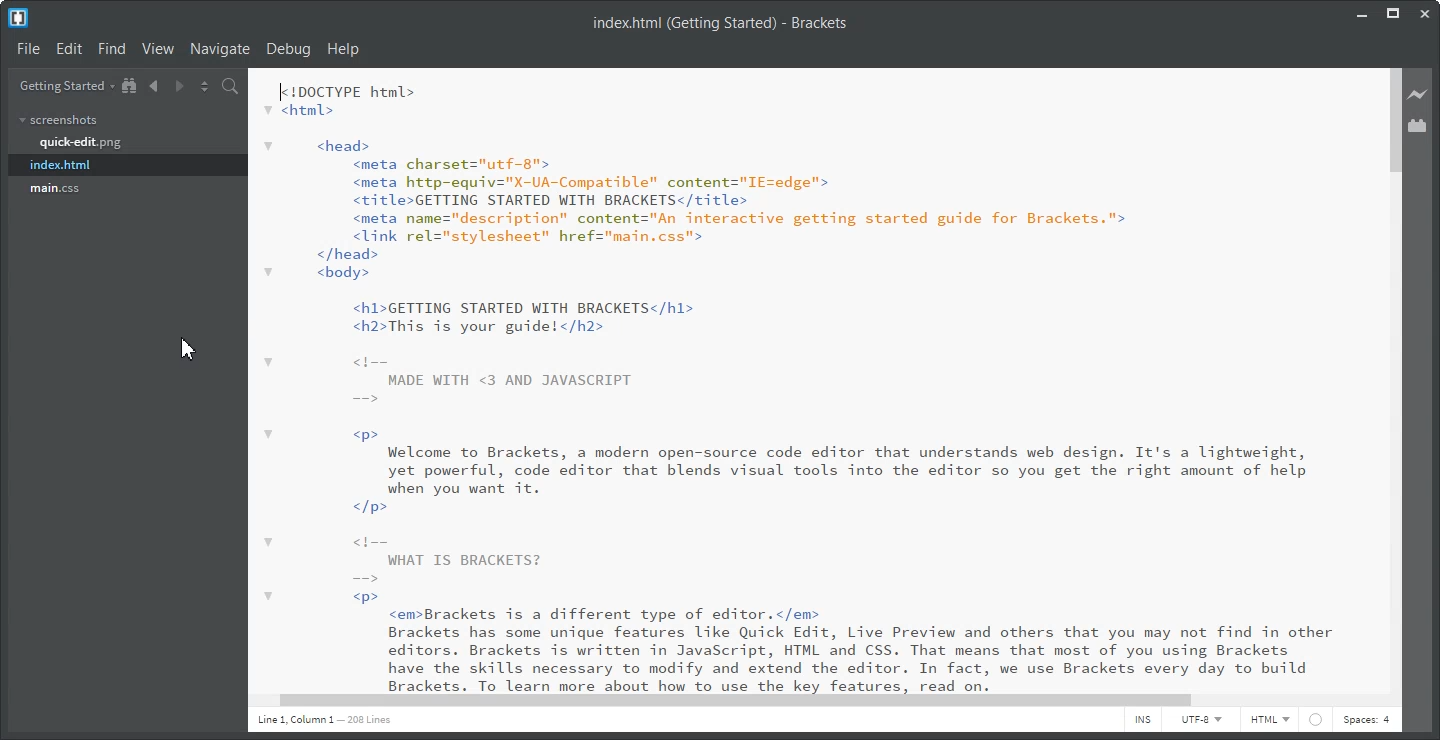  Describe the element at coordinates (1421, 125) in the screenshot. I see `Extension Manager` at that location.